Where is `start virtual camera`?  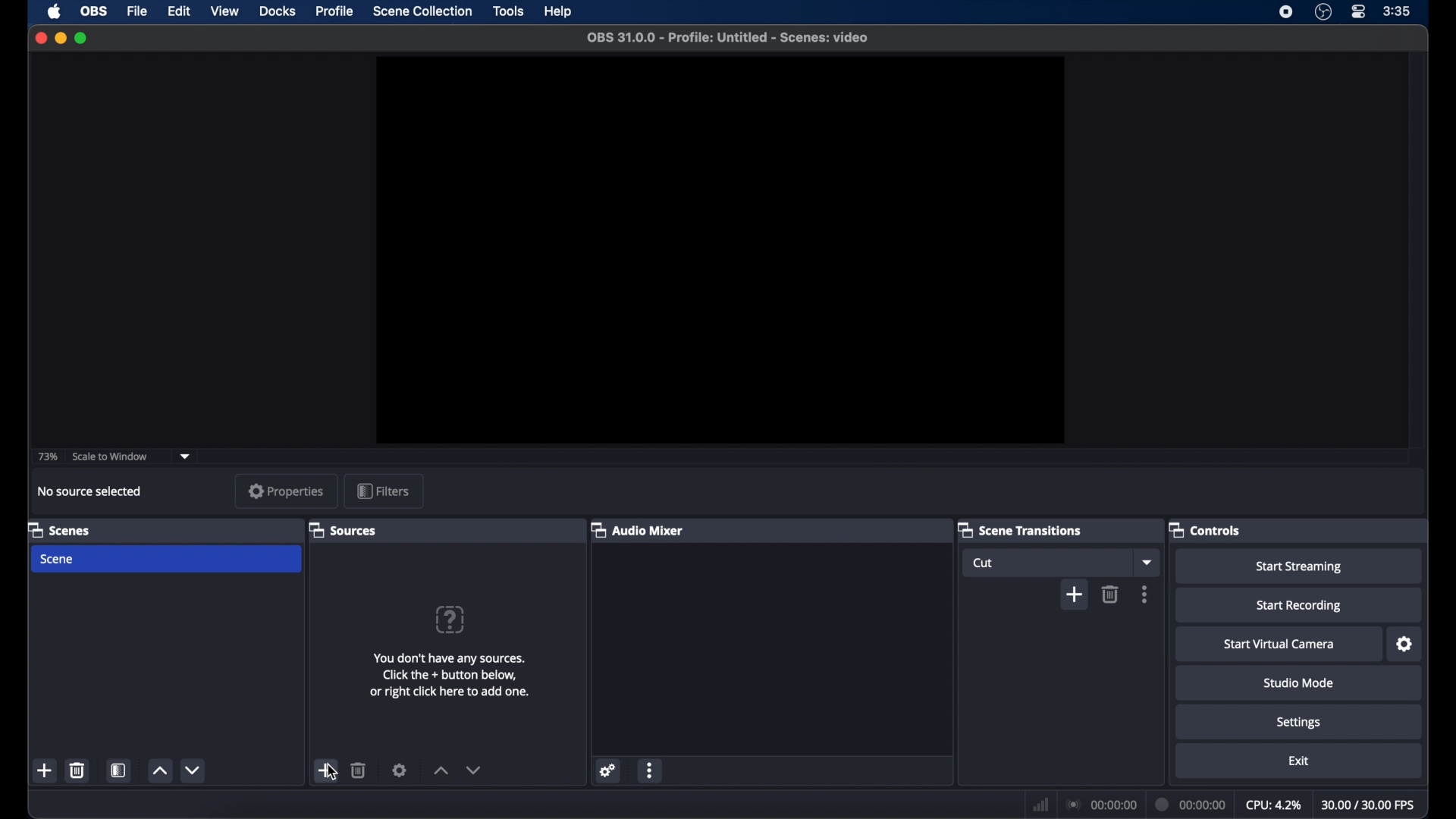 start virtual camera is located at coordinates (1280, 644).